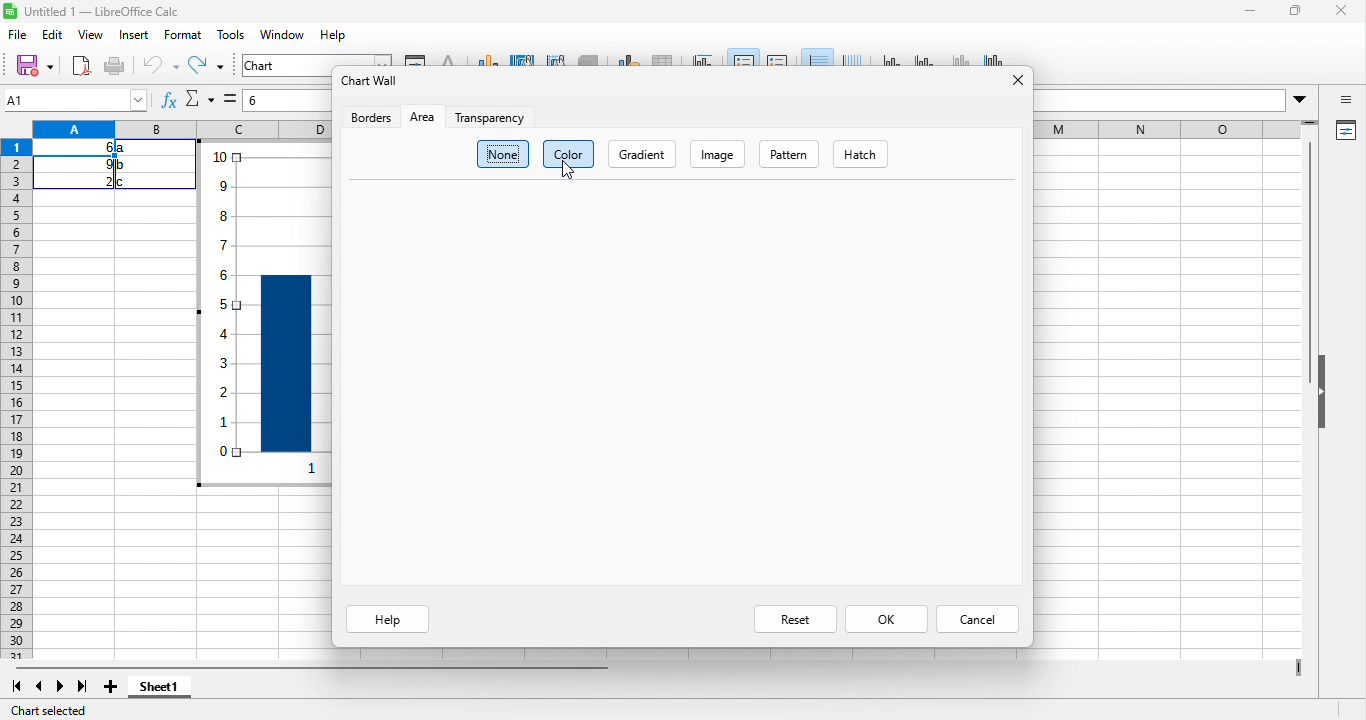 This screenshot has width=1366, height=720. I want to click on color, so click(572, 155).